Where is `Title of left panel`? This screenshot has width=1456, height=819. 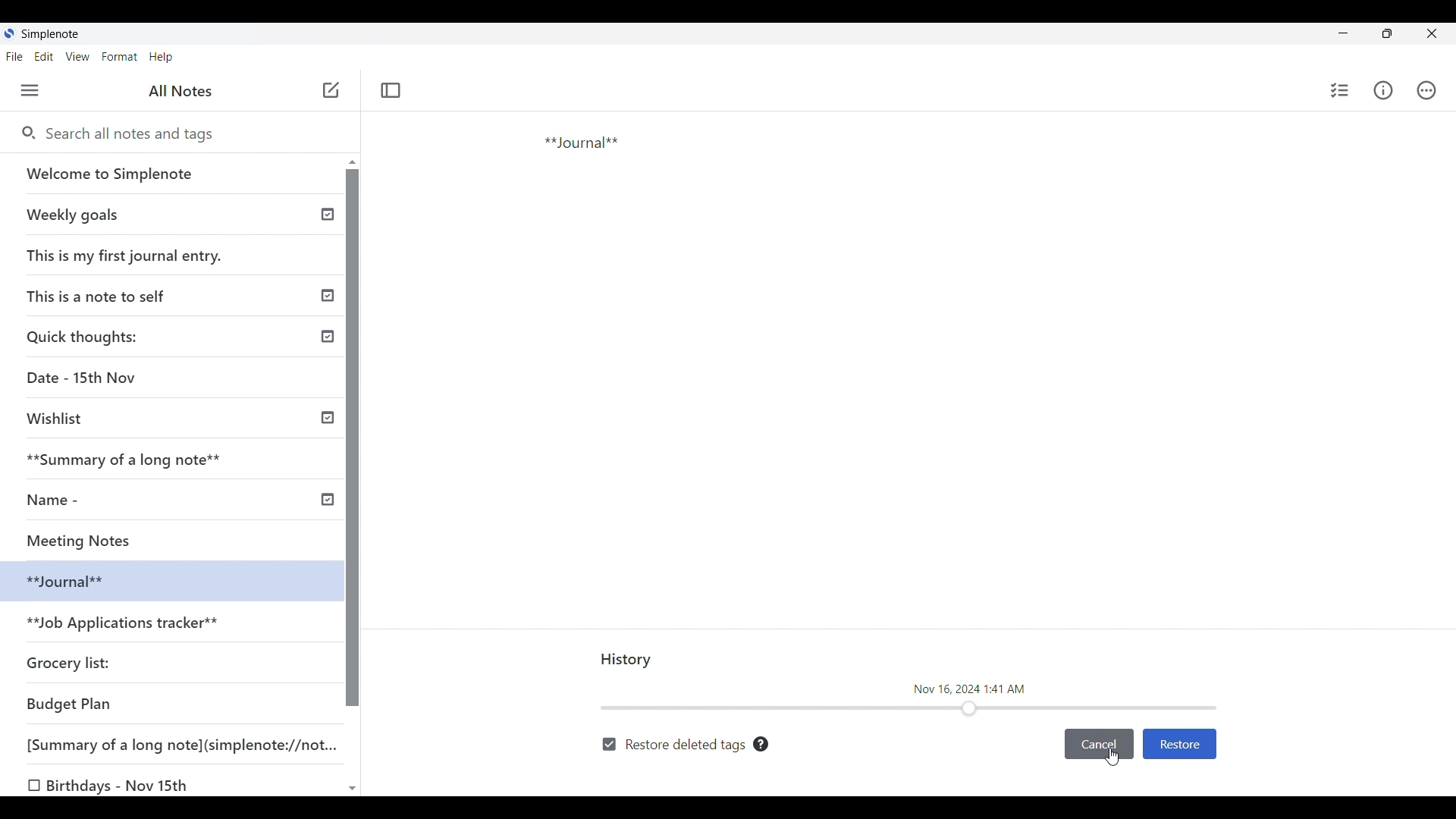 Title of left panel is located at coordinates (180, 91).